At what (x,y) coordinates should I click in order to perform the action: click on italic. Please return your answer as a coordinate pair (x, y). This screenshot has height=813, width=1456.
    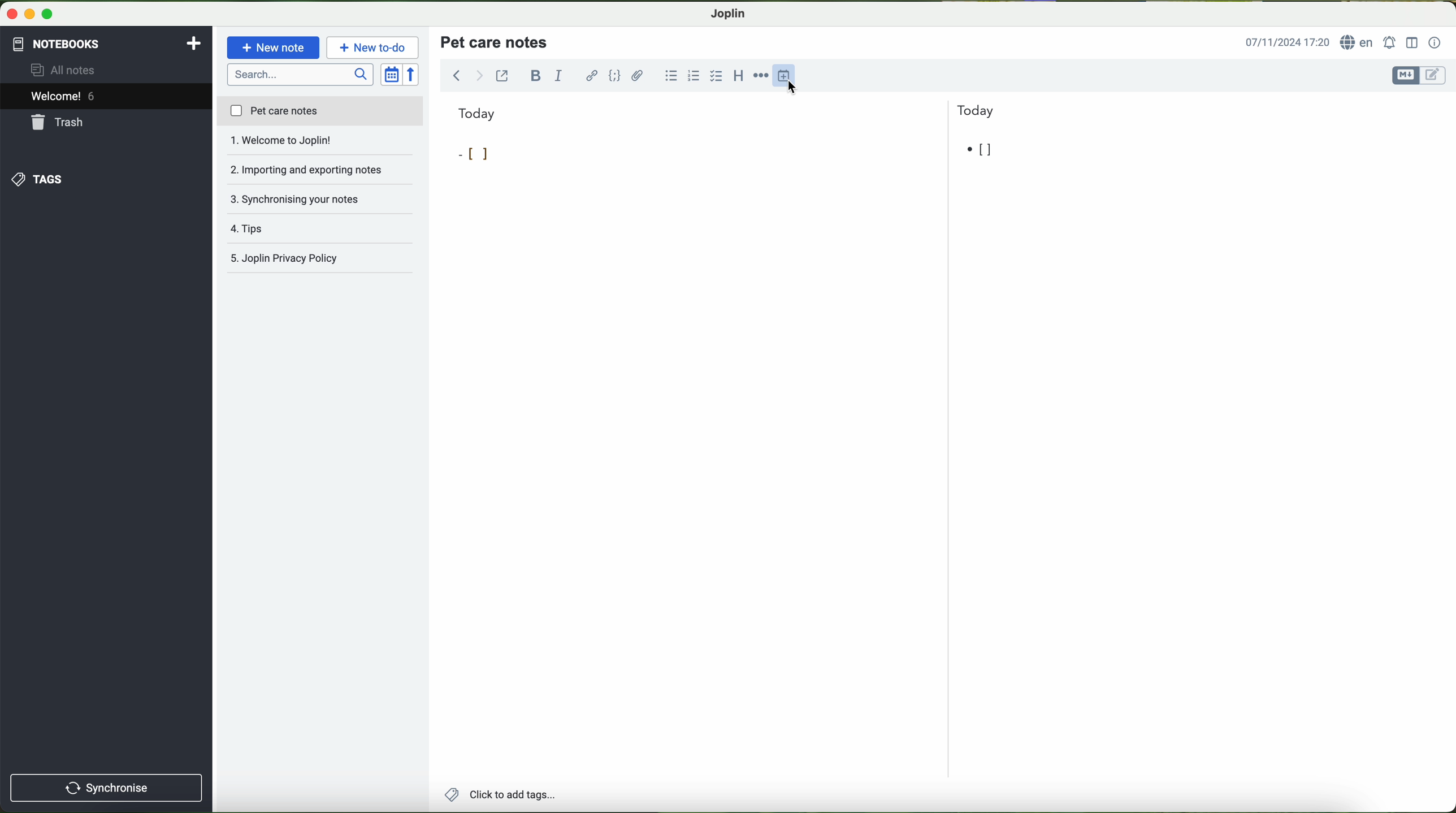
    Looking at the image, I should click on (557, 76).